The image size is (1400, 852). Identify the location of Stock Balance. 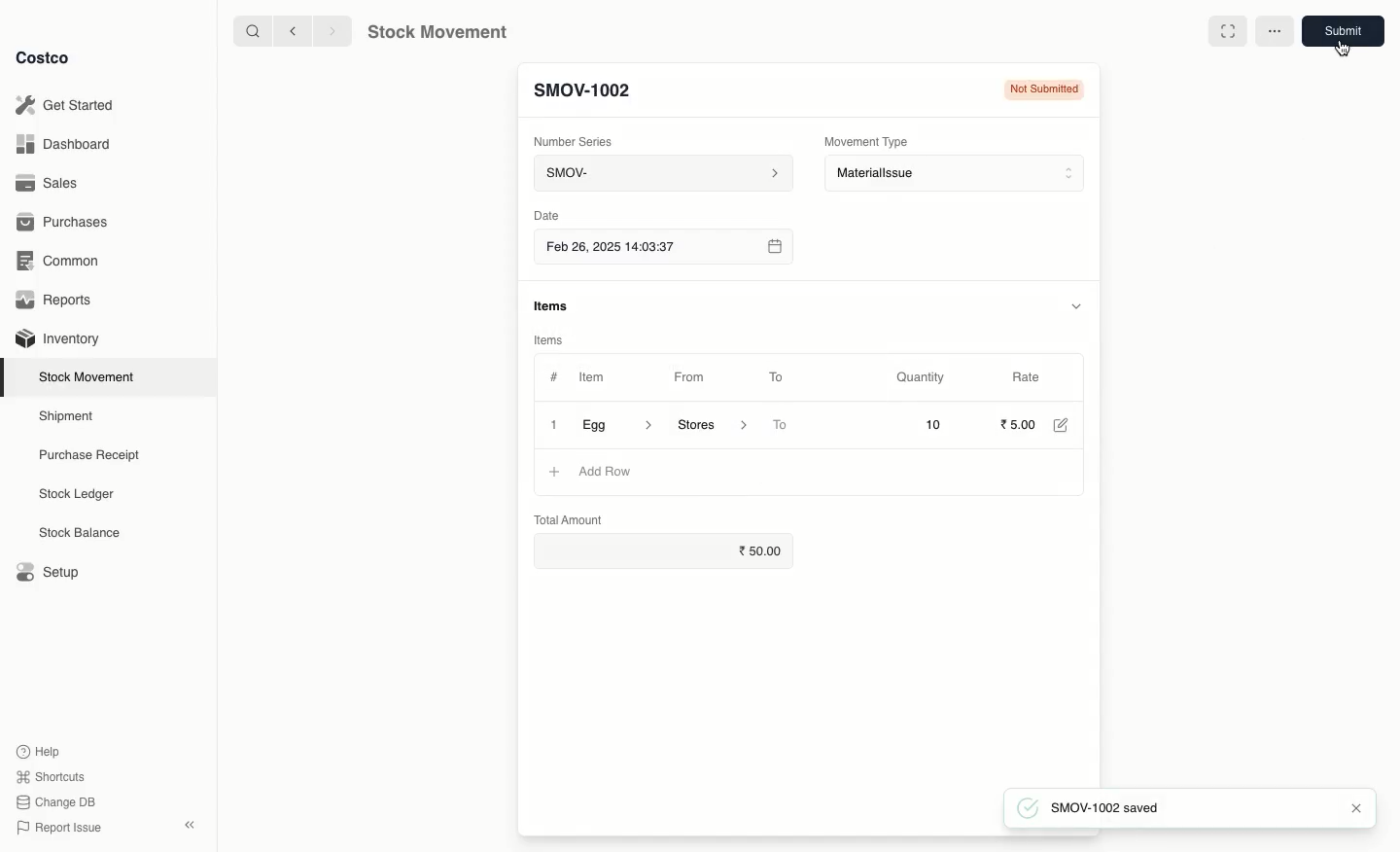
(82, 533).